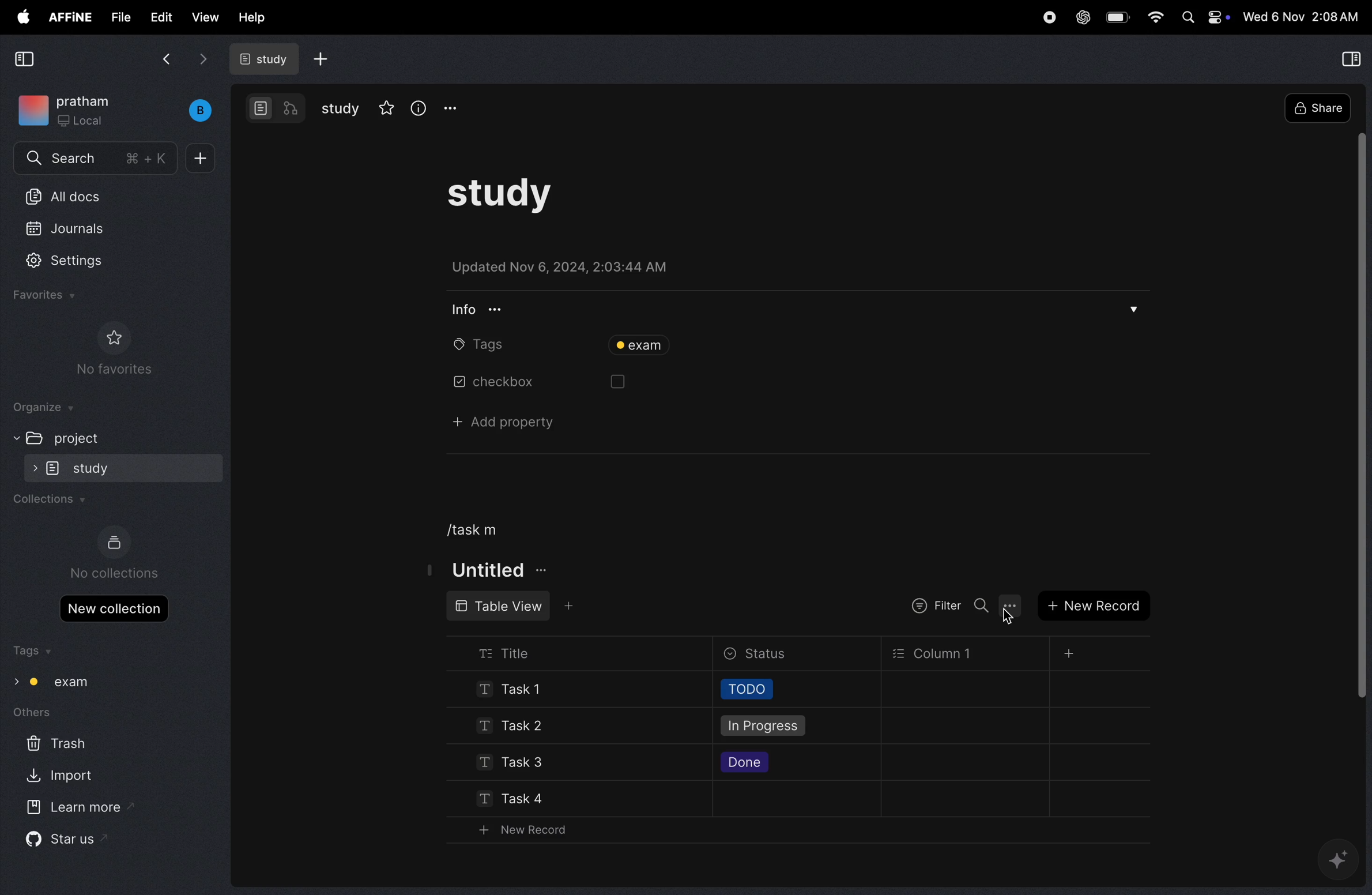  Describe the element at coordinates (79, 228) in the screenshot. I see `jornals` at that location.